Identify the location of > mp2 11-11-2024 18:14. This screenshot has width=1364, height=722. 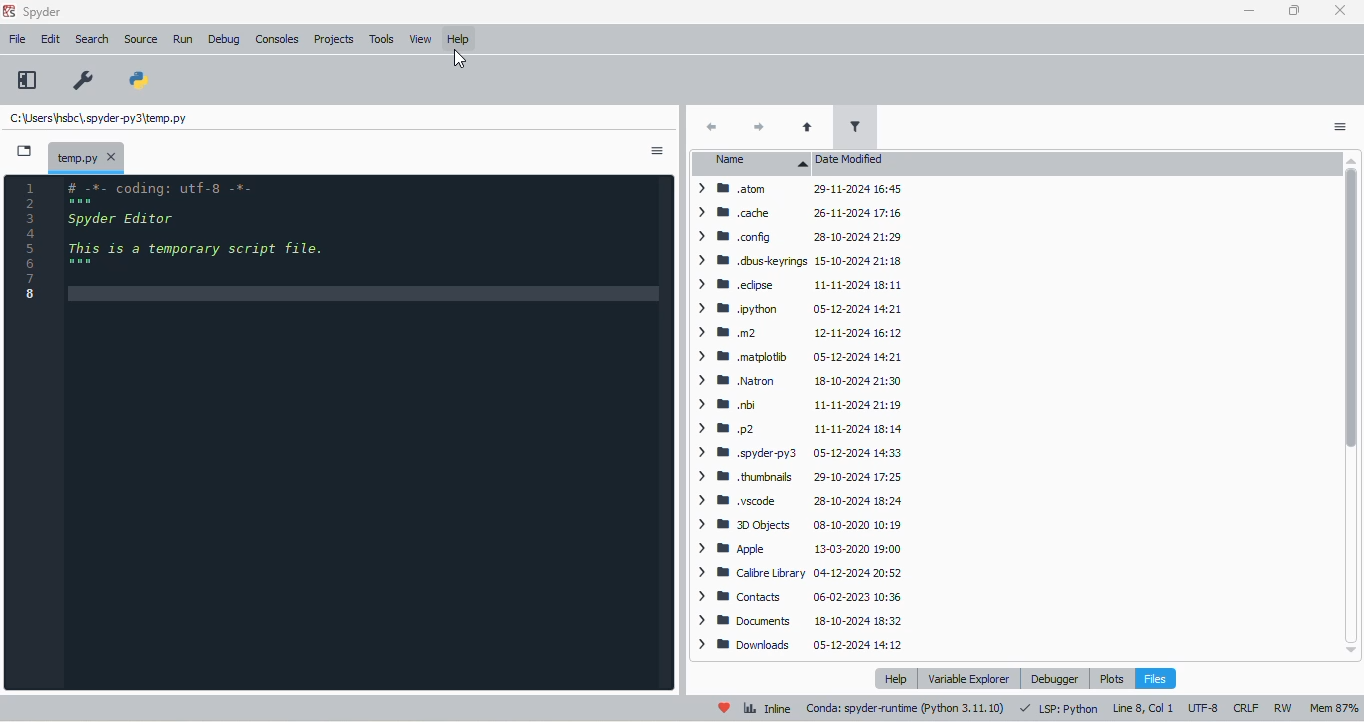
(795, 428).